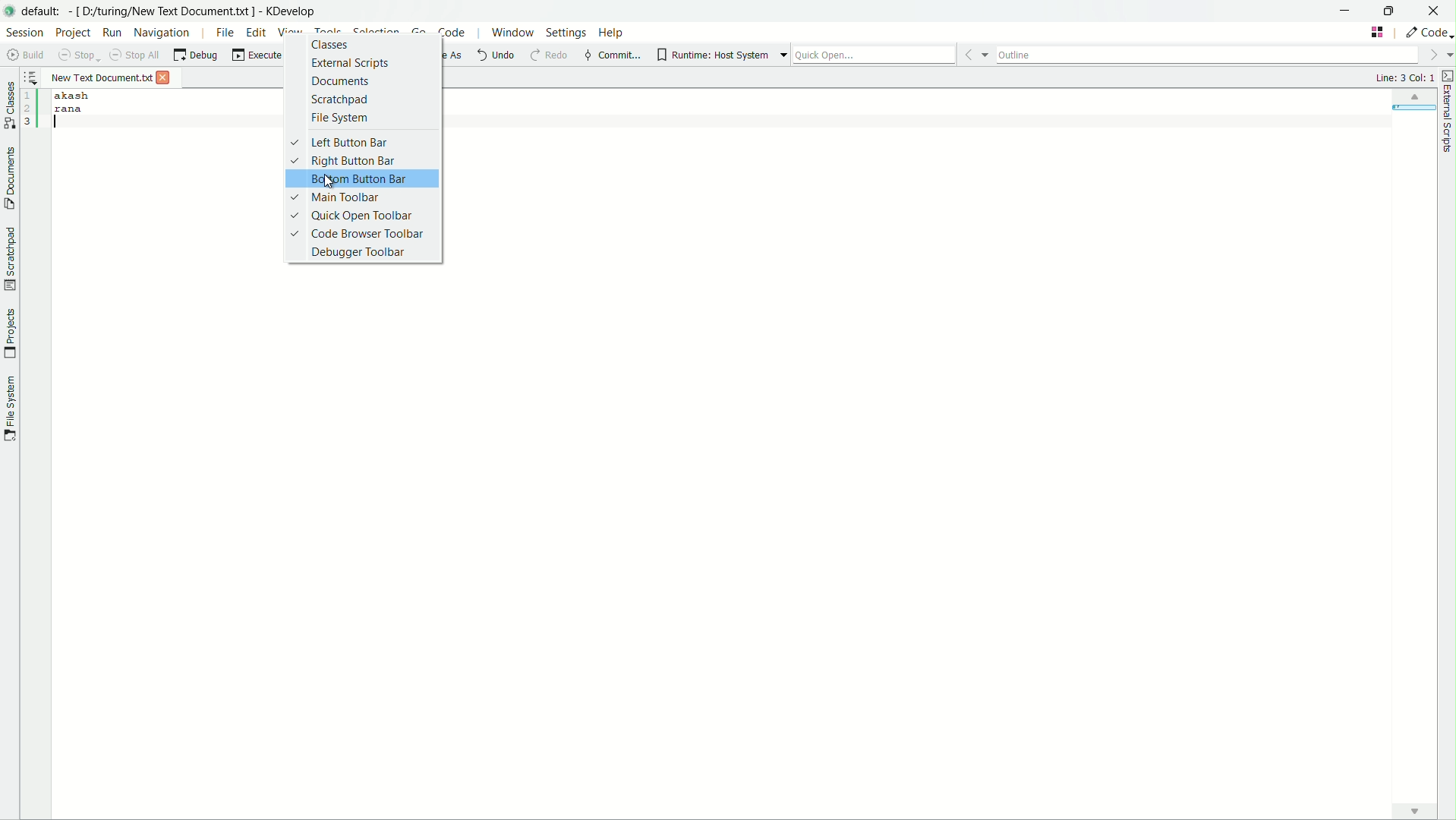 This screenshot has width=1456, height=820. Describe the element at coordinates (436, 55) in the screenshot. I see `save as` at that location.